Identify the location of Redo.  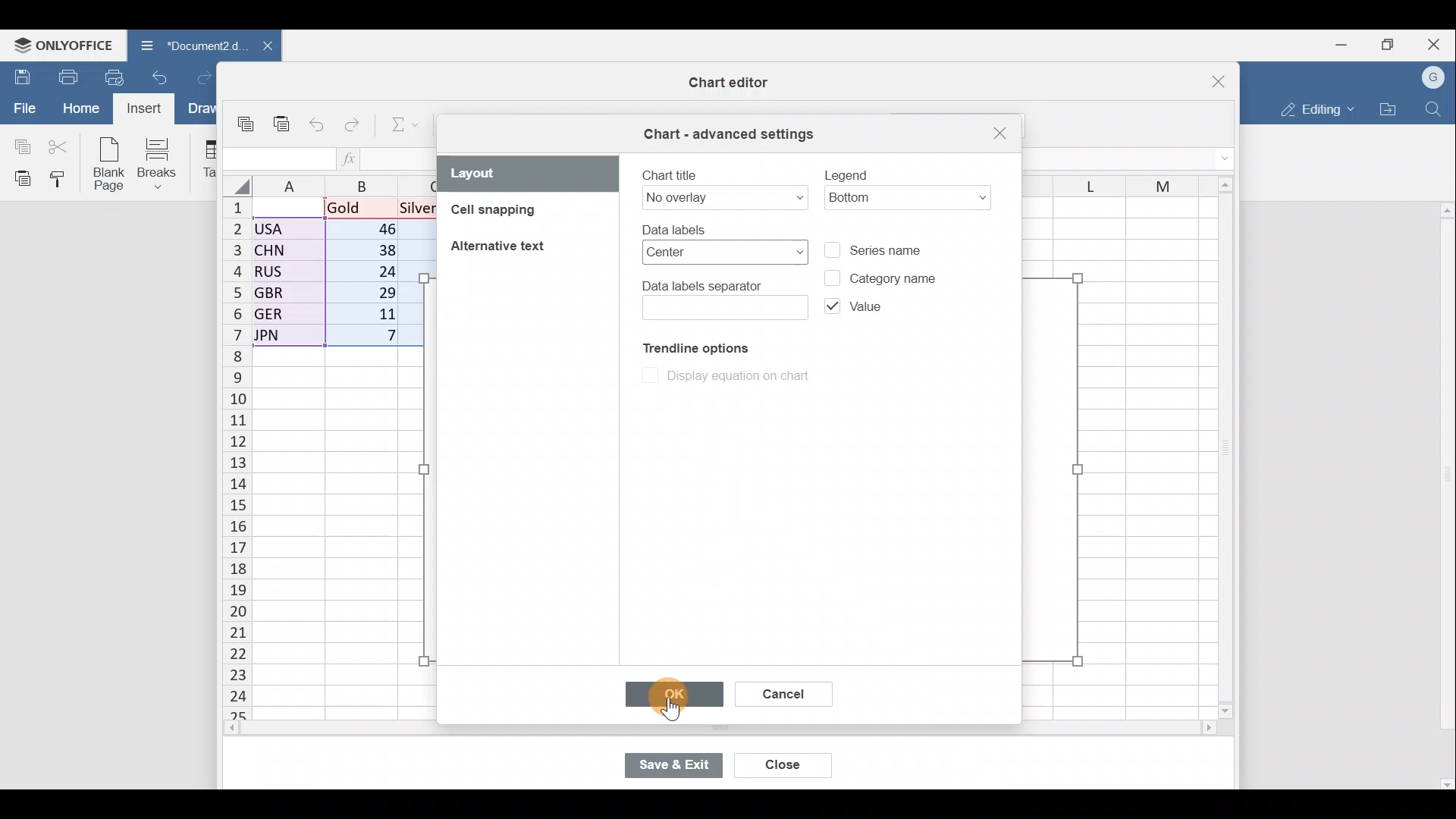
(353, 128).